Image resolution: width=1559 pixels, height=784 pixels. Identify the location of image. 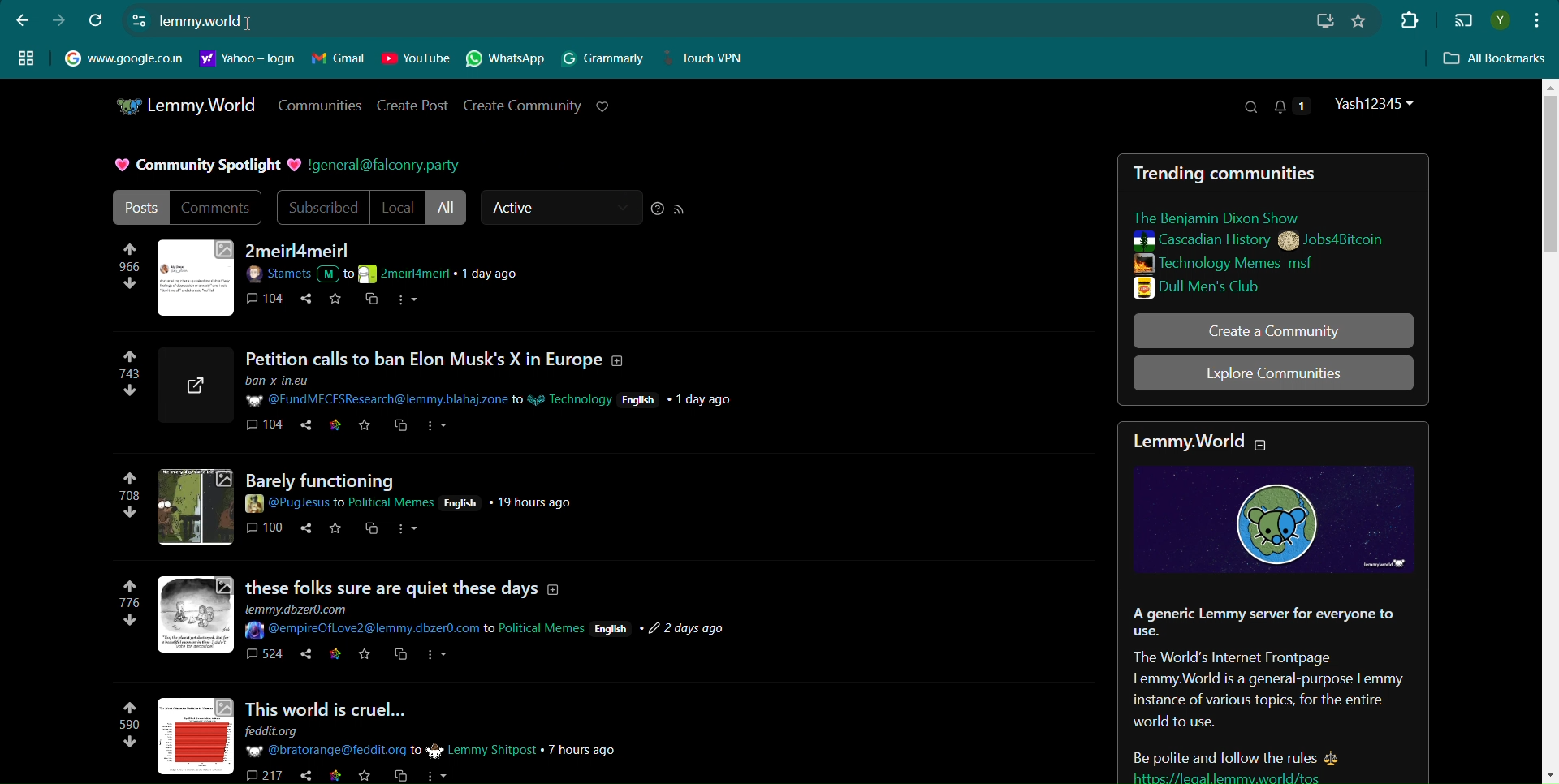
(193, 506).